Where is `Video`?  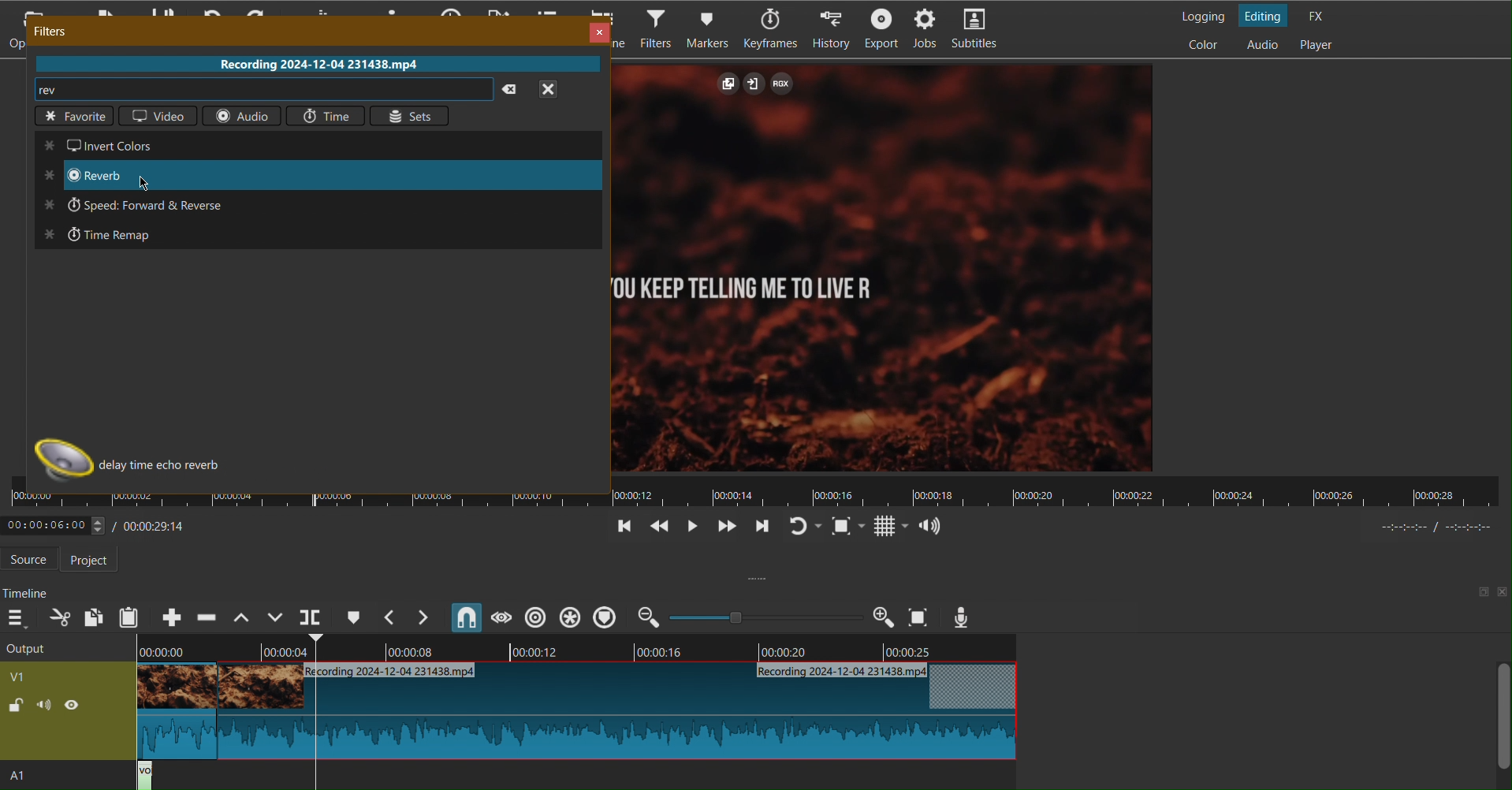 Video is located at coordinates (155, 115).